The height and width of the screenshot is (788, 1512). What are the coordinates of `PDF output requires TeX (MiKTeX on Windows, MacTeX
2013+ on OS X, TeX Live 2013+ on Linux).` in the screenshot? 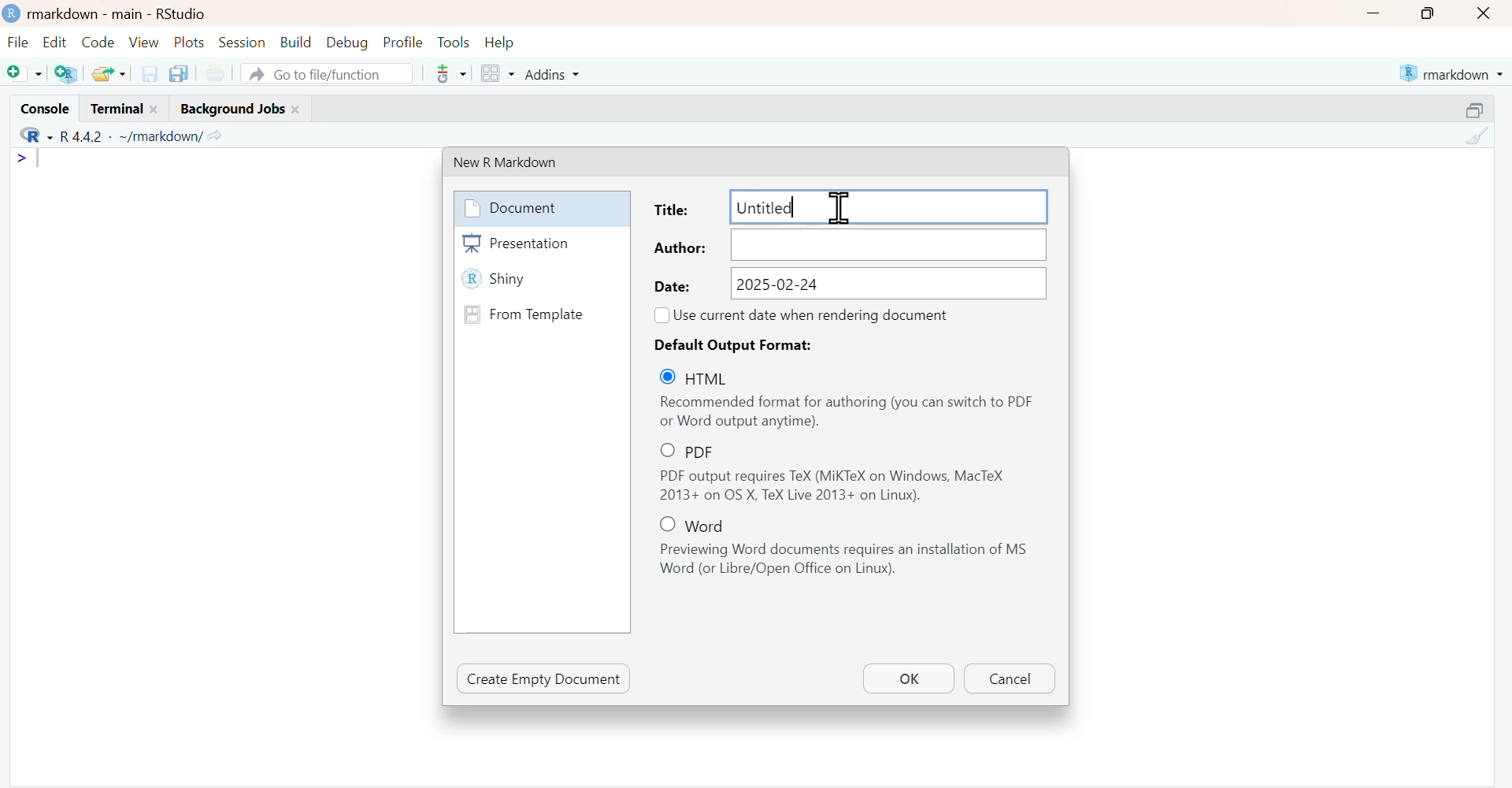 It's located at (848, 486).